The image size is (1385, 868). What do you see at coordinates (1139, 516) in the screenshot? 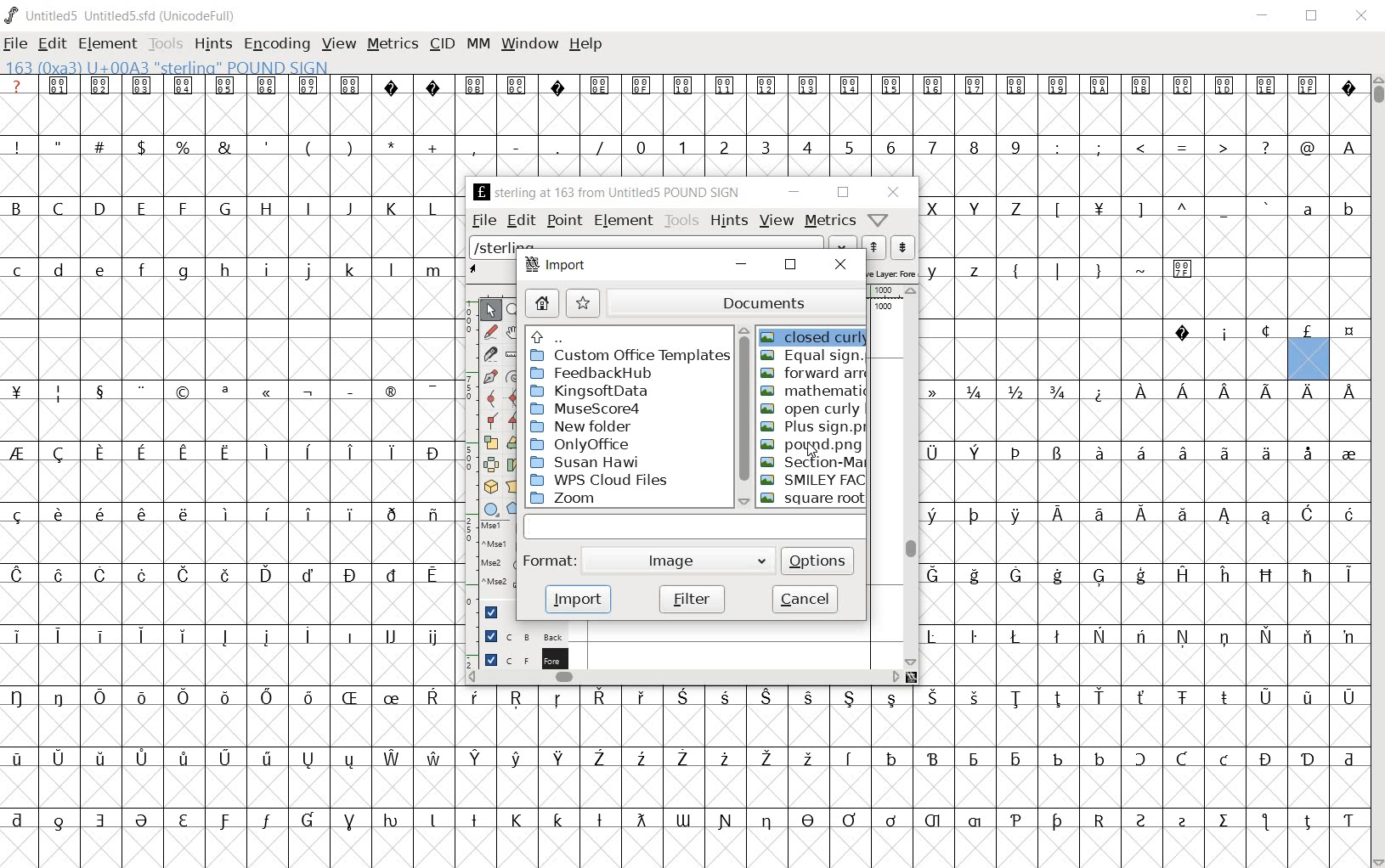
I see `Symbol` at bounding box center [1139, 516].